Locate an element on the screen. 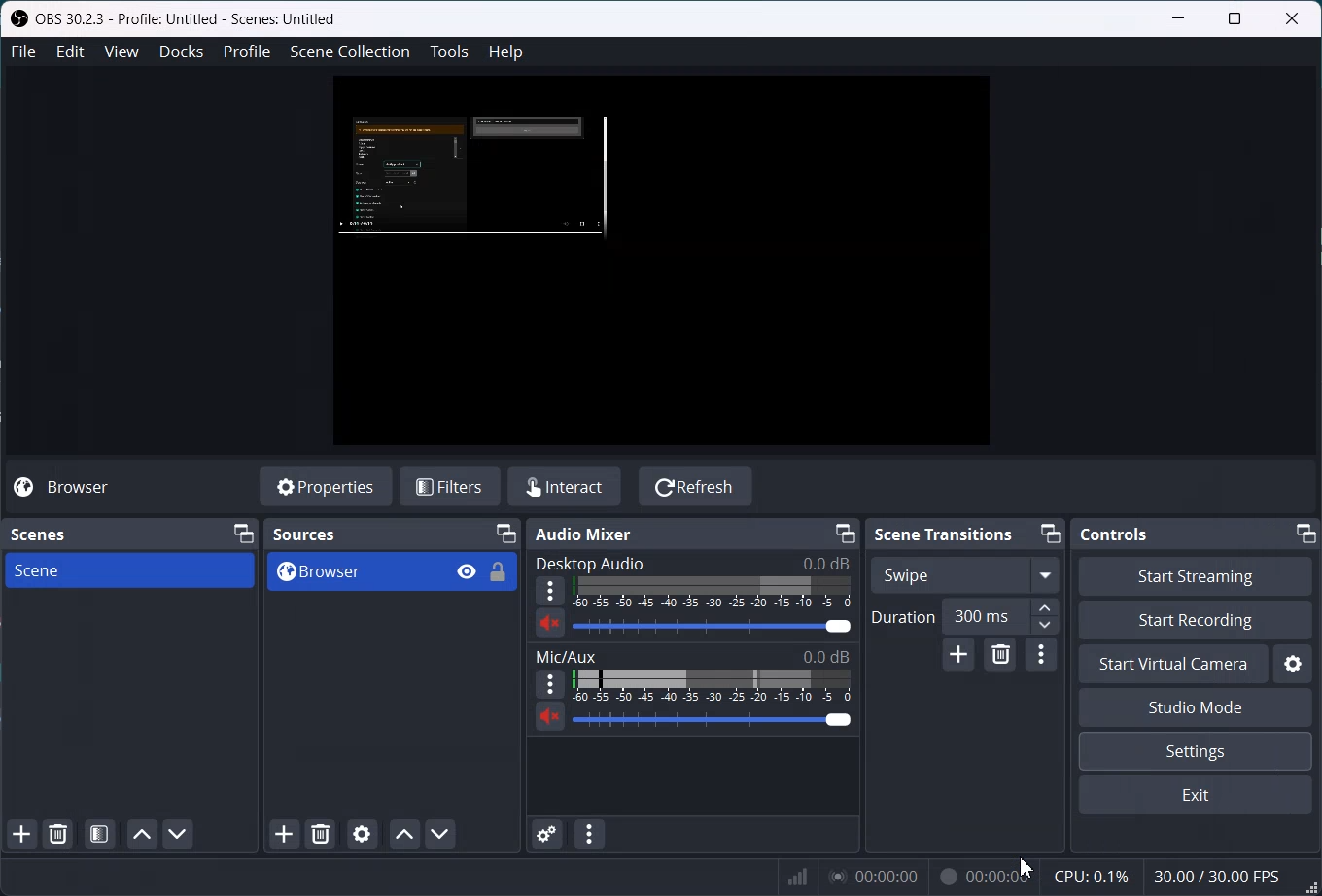 This screenshot has width=1322, height=896. Minimize is located at coordinates (505, 534).